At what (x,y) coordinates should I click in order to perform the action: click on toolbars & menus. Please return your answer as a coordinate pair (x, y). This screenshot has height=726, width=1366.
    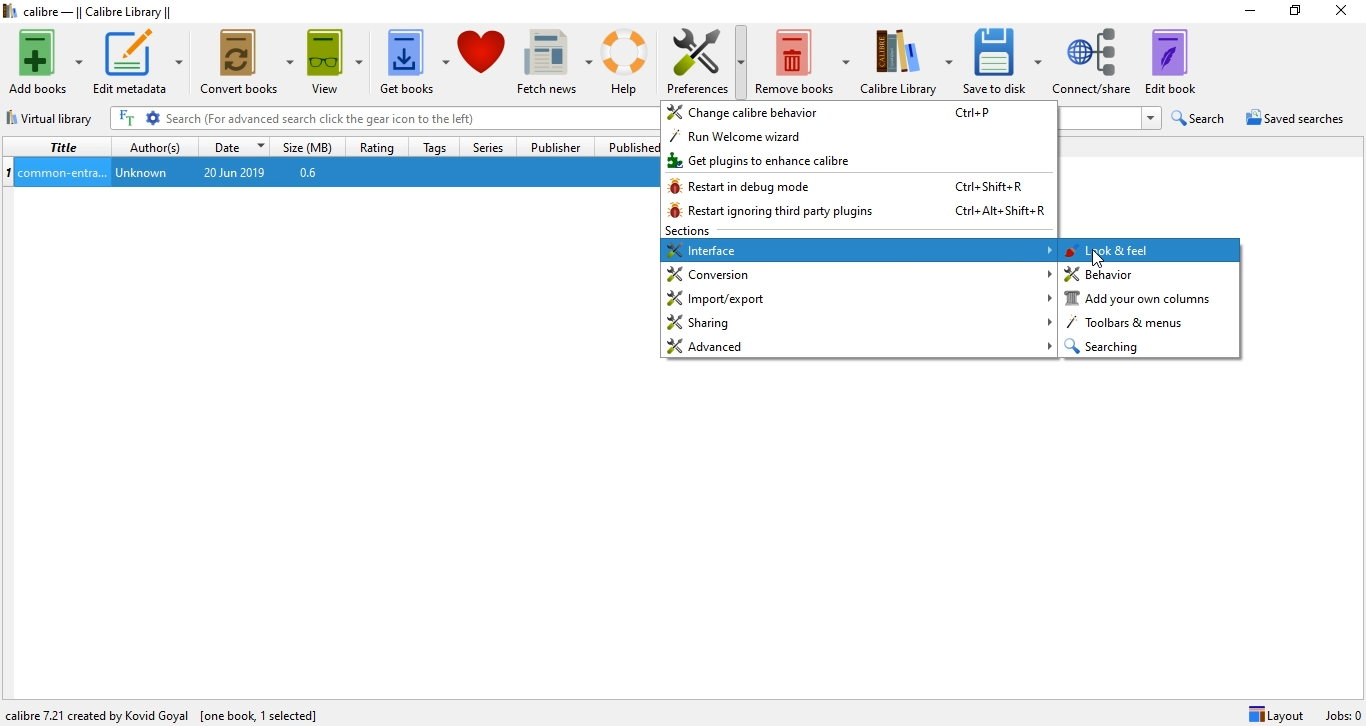
    Looking at the image, I should click on (1144, 323).